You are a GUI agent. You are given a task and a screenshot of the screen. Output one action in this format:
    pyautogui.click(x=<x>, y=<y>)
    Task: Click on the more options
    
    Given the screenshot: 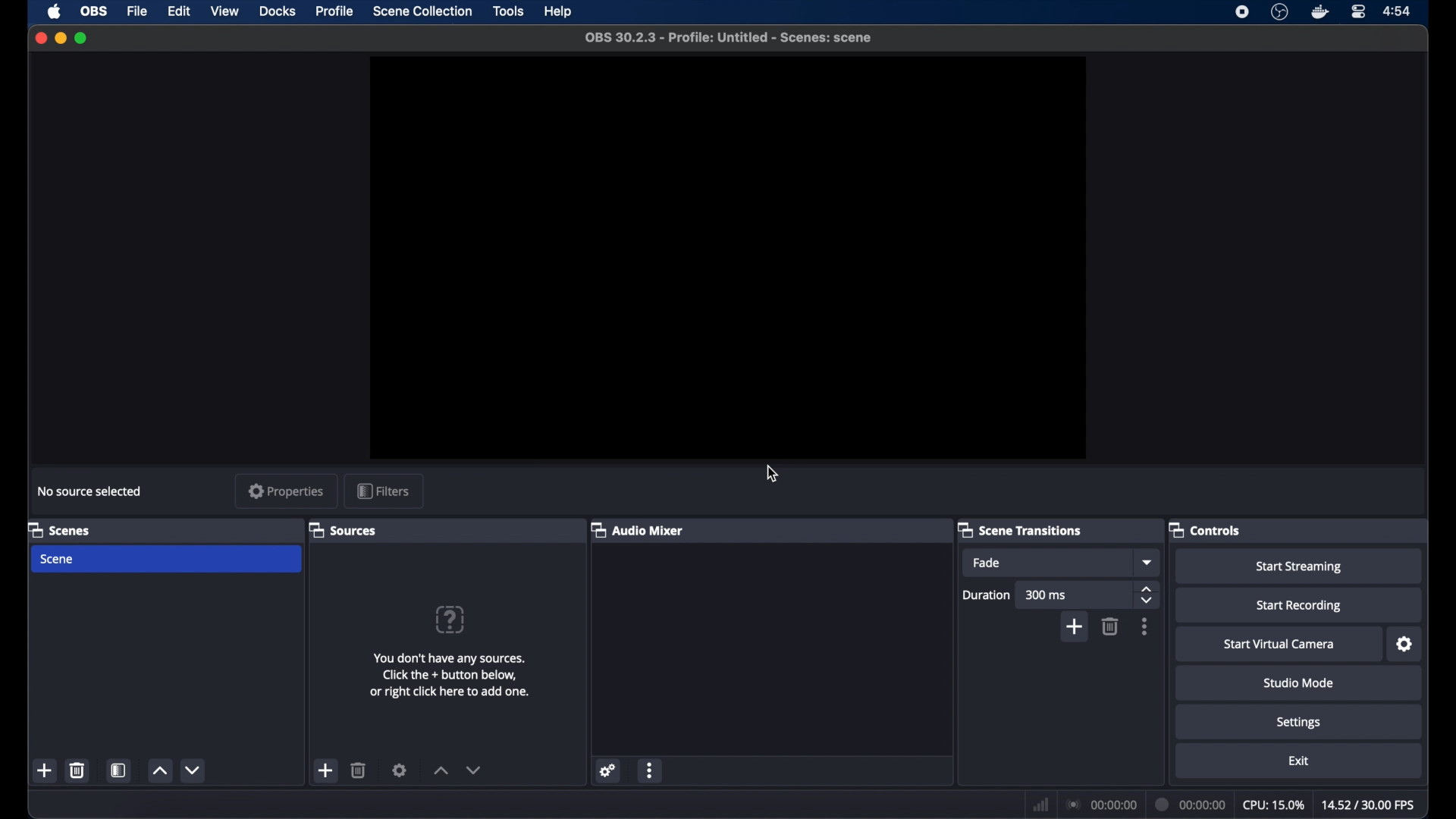 What is the action you would take?
    pyautogui.click(x=1146, y=626)
    